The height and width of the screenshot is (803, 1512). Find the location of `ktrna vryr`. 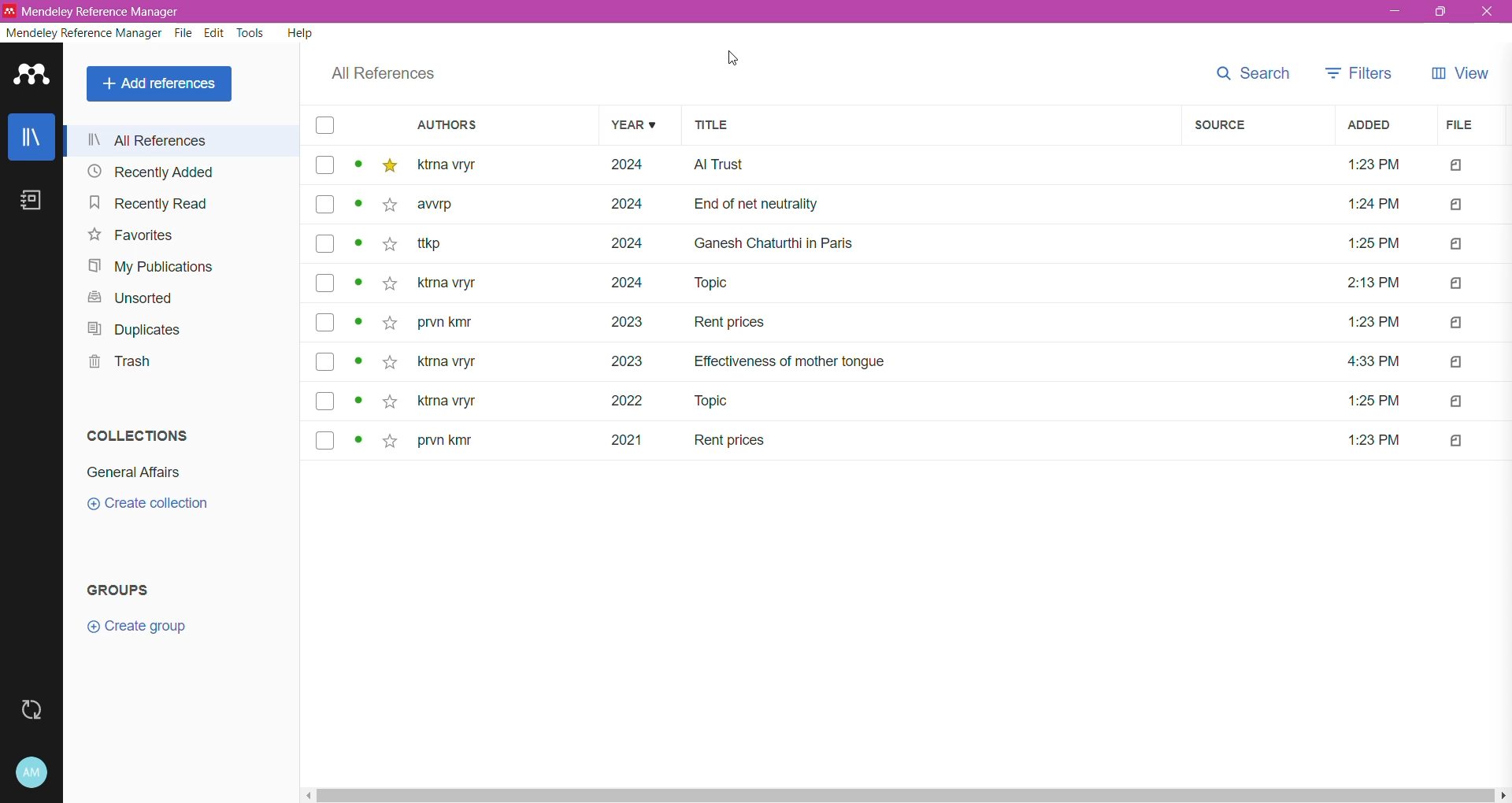

ktrna vryr is located at coordinates (447, 403).